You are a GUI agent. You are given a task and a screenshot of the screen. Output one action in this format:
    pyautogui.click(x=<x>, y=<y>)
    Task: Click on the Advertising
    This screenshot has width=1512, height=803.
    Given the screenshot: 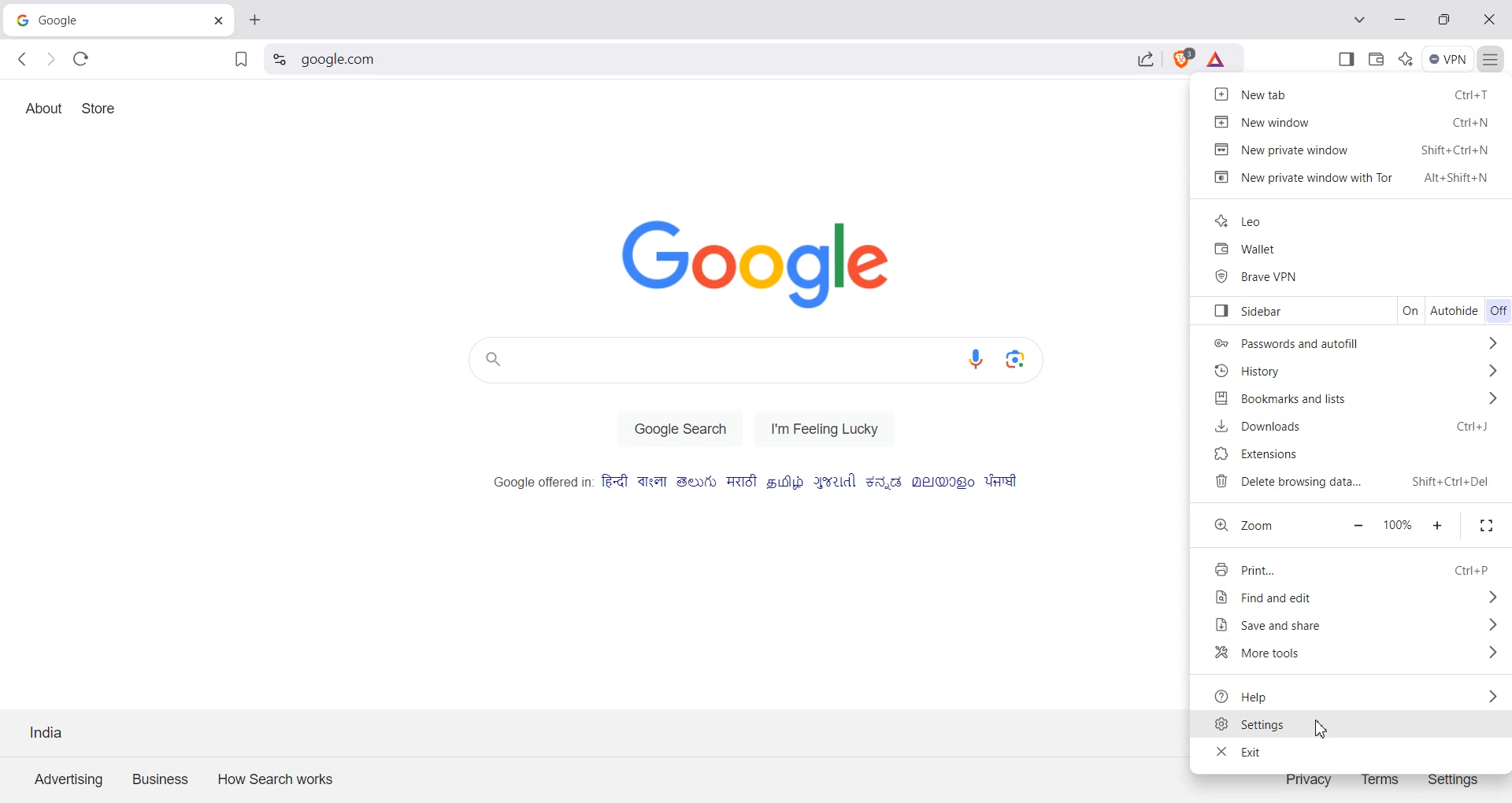 What is the action you would take?
    pyautogui.click(x=69, y=778)
    